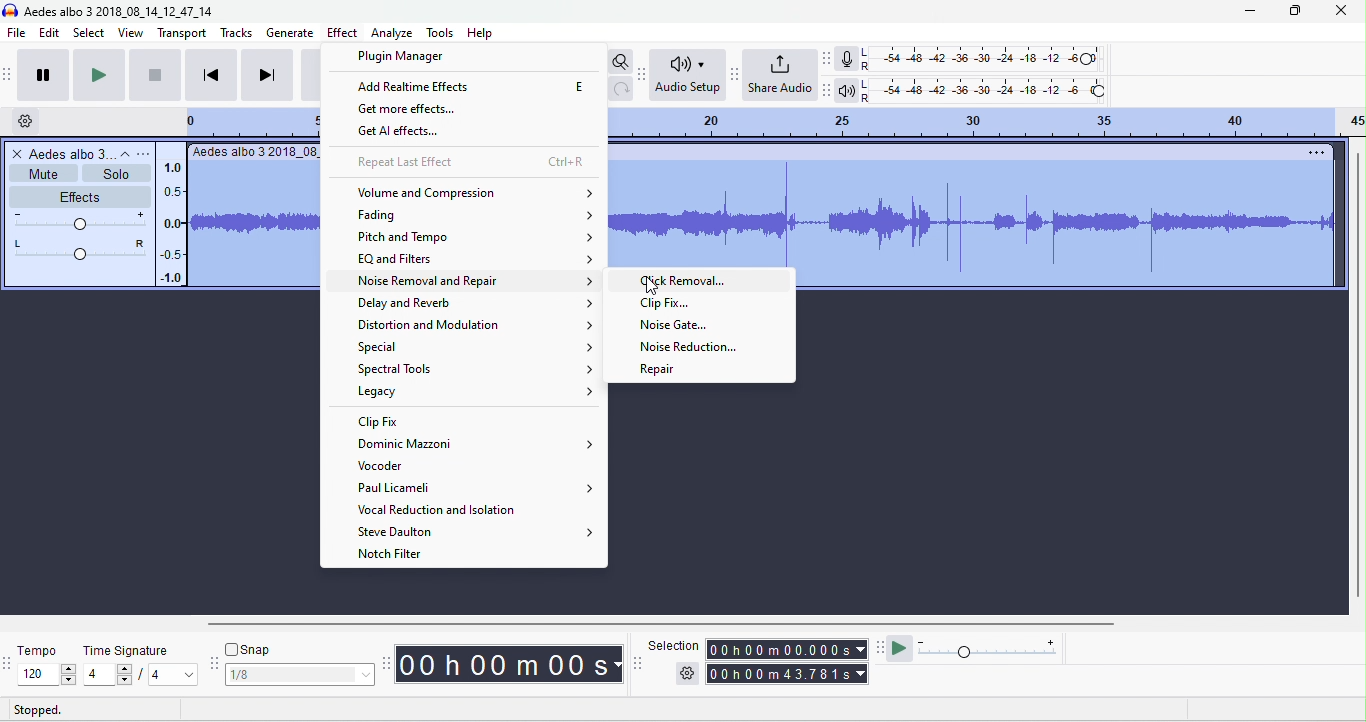 This screenshot has height=722, width=1366. Describe the element at coordinates (98, 73) in the screenshot. I see `play` at that location.